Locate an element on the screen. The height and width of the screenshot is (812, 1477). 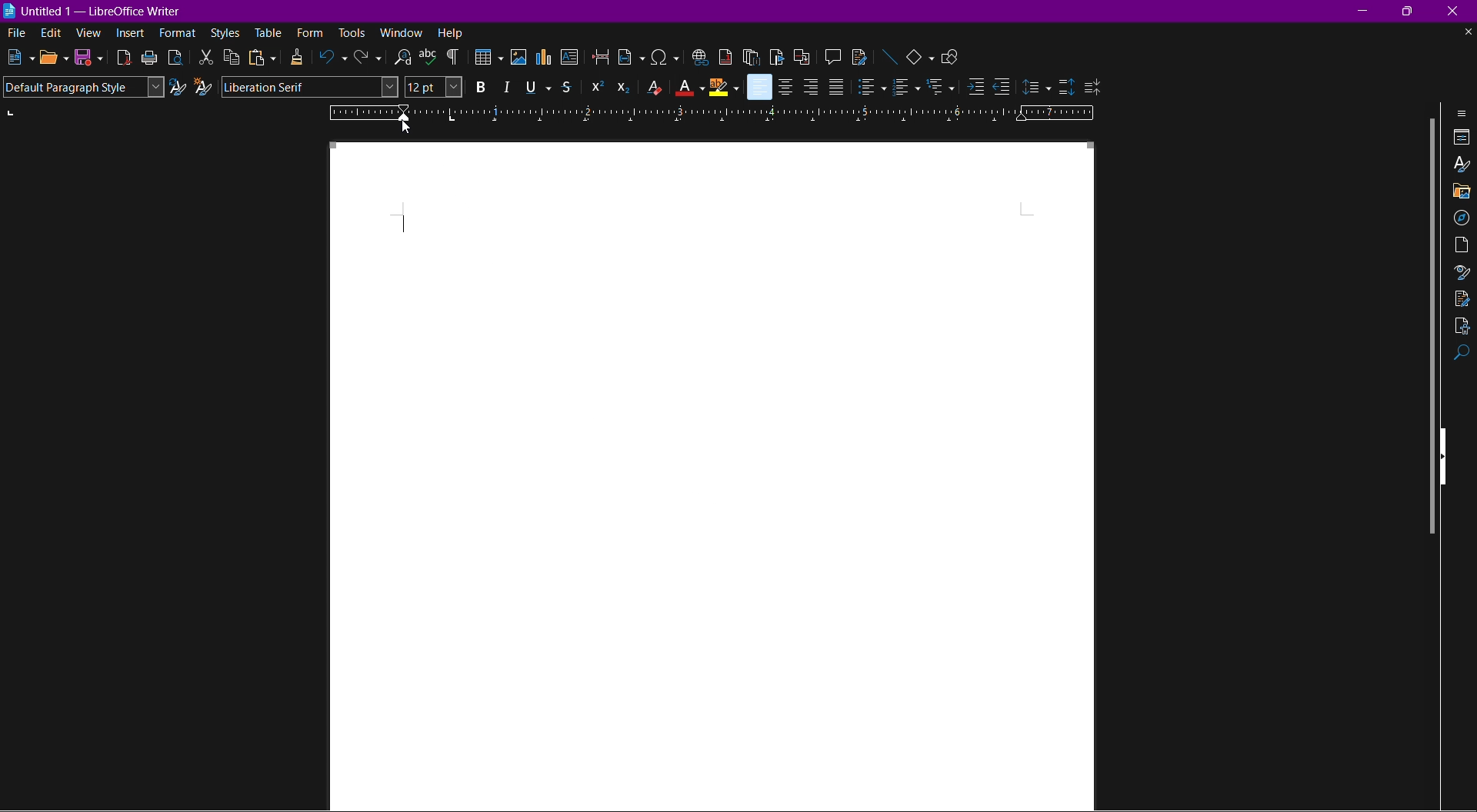
Toggle Unordered List is located at coordinates (872, 87).